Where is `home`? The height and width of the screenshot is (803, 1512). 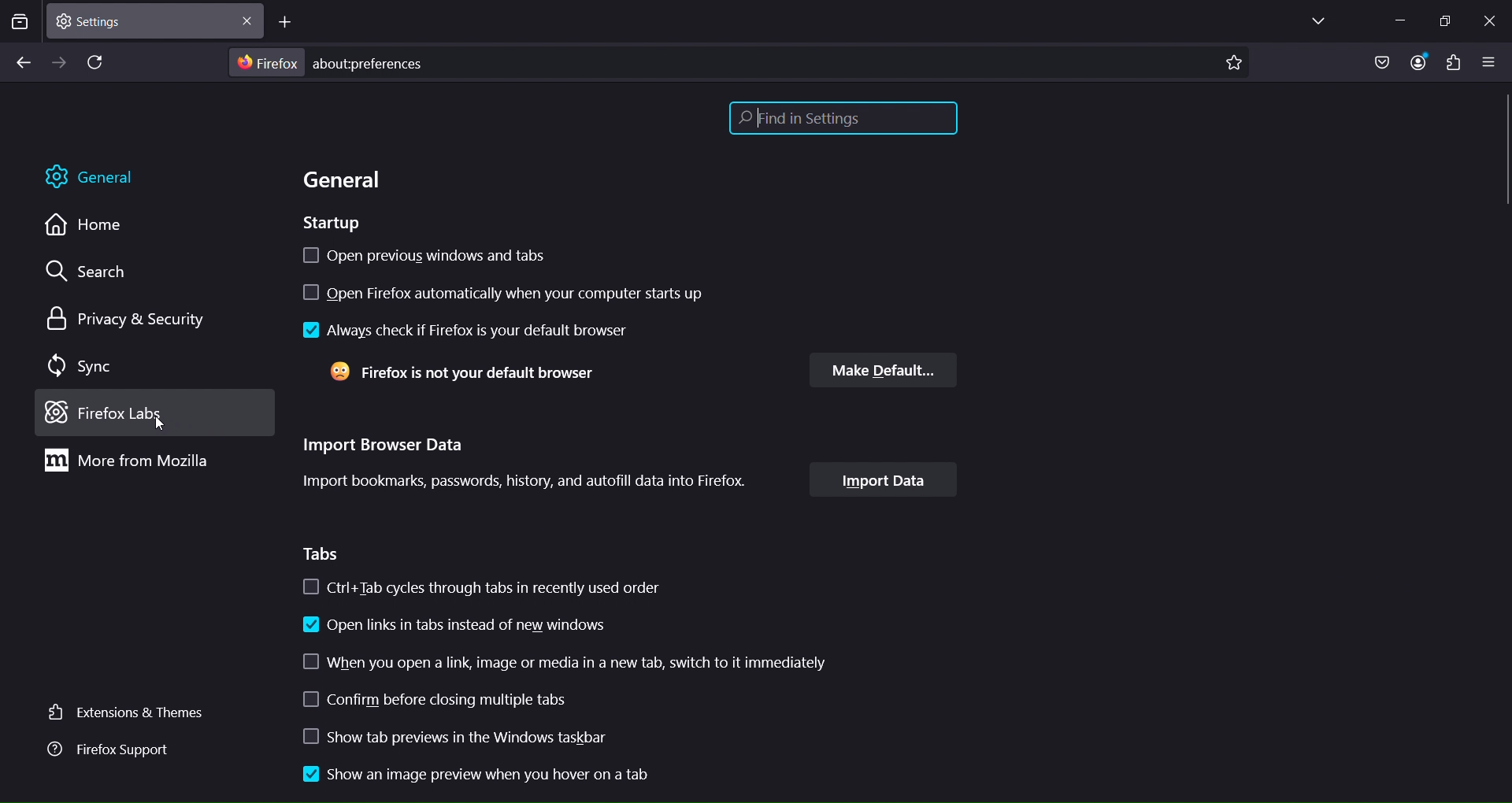 home is located at coordinates (86, 227).